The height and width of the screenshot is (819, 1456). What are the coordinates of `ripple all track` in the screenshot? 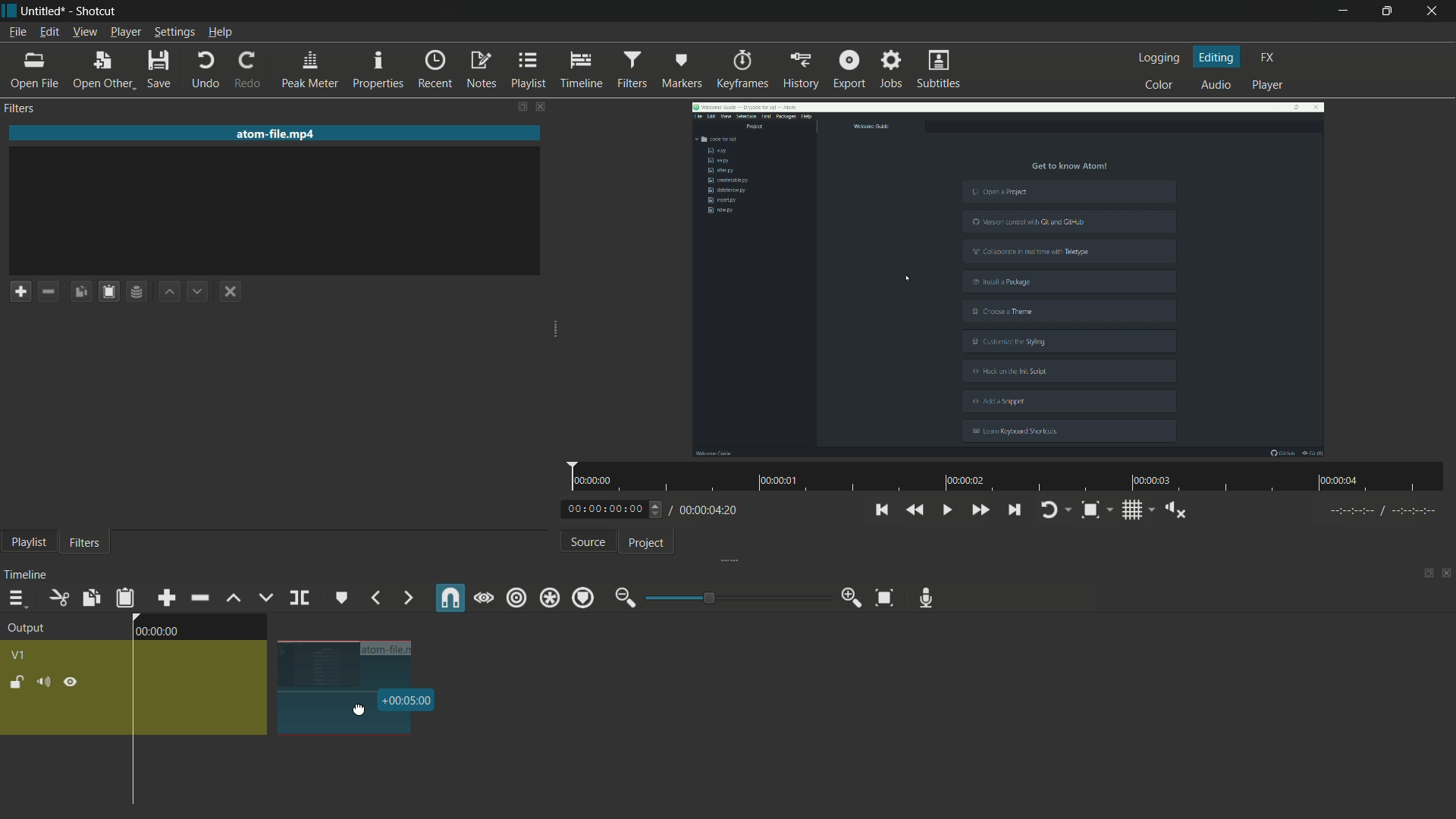 It's located at (551, 597).